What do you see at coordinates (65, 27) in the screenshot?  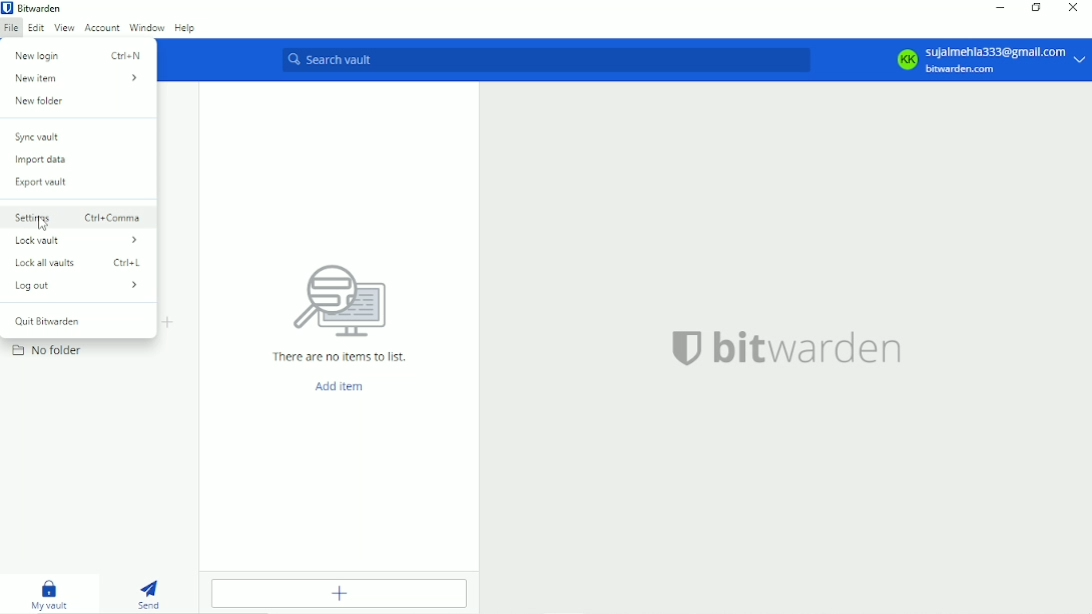 I see `View` at bounding box center [65, 27].